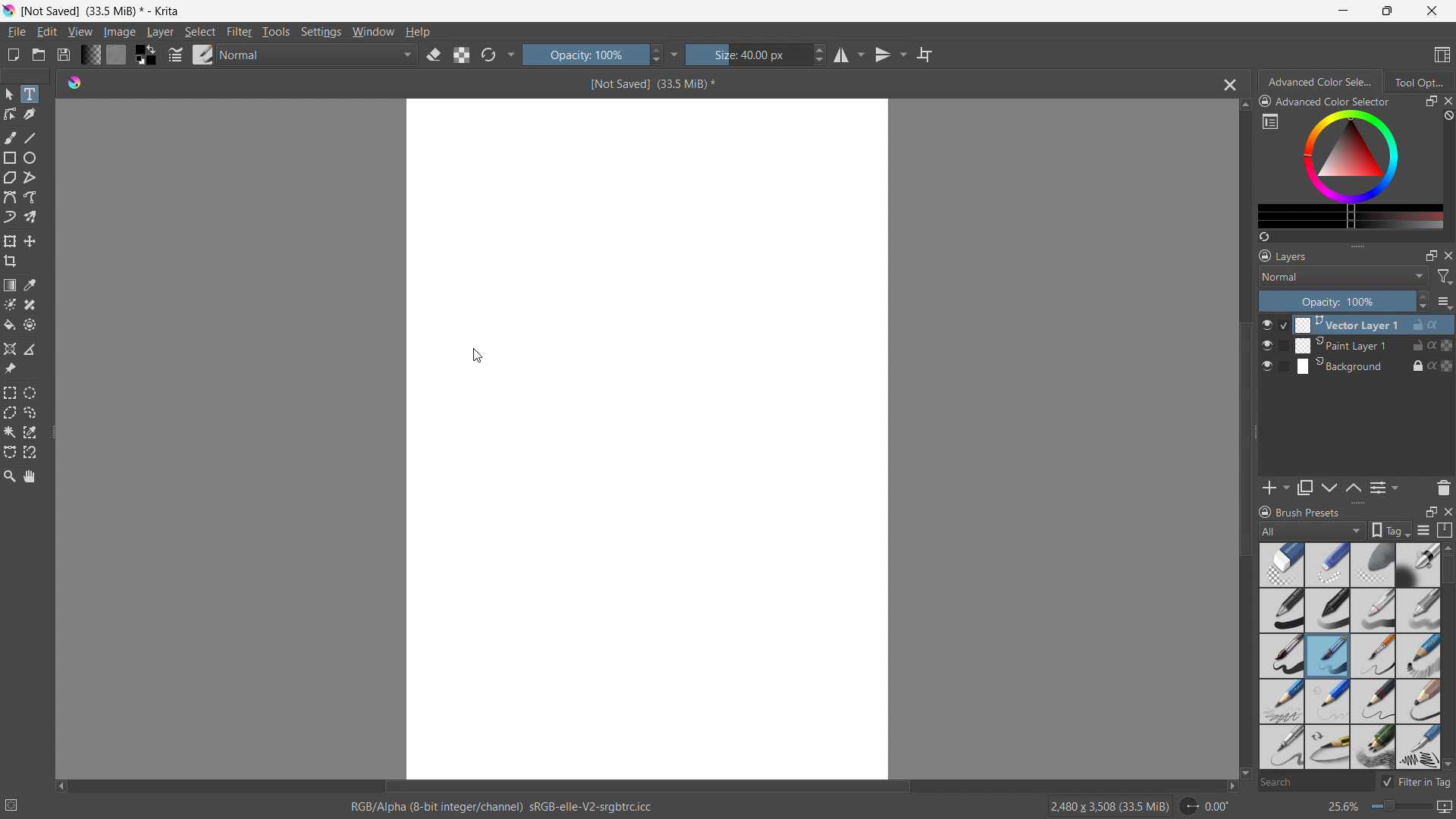 The width and height of the screenshot is (1456, 819). I want to click on horizontal mirror tool, so click(848, 55).